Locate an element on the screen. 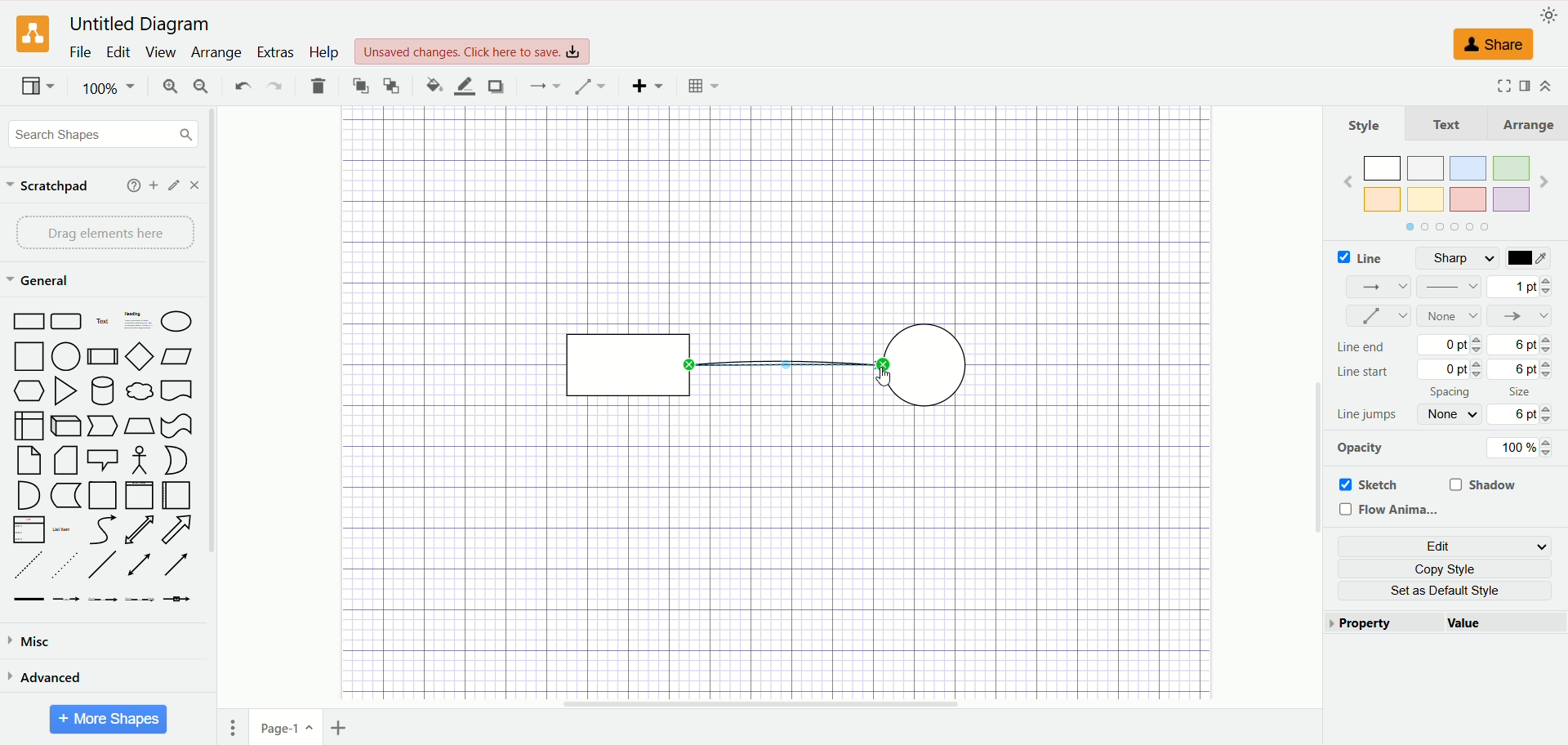 The image size is (1568, 745). Item List is located at coordinates (28, 529).